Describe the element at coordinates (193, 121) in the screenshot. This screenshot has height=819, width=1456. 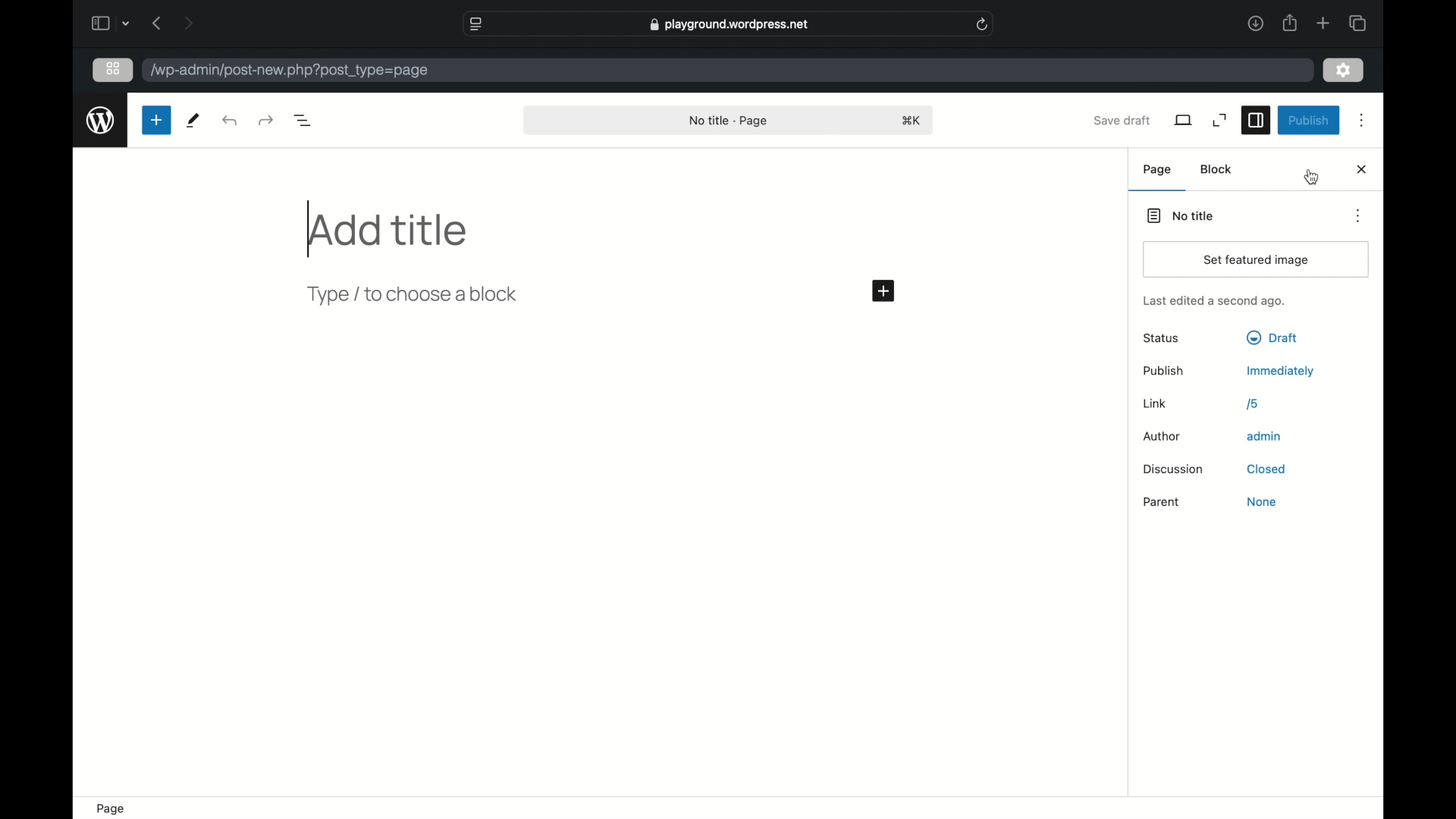
I see `tools` at that location.